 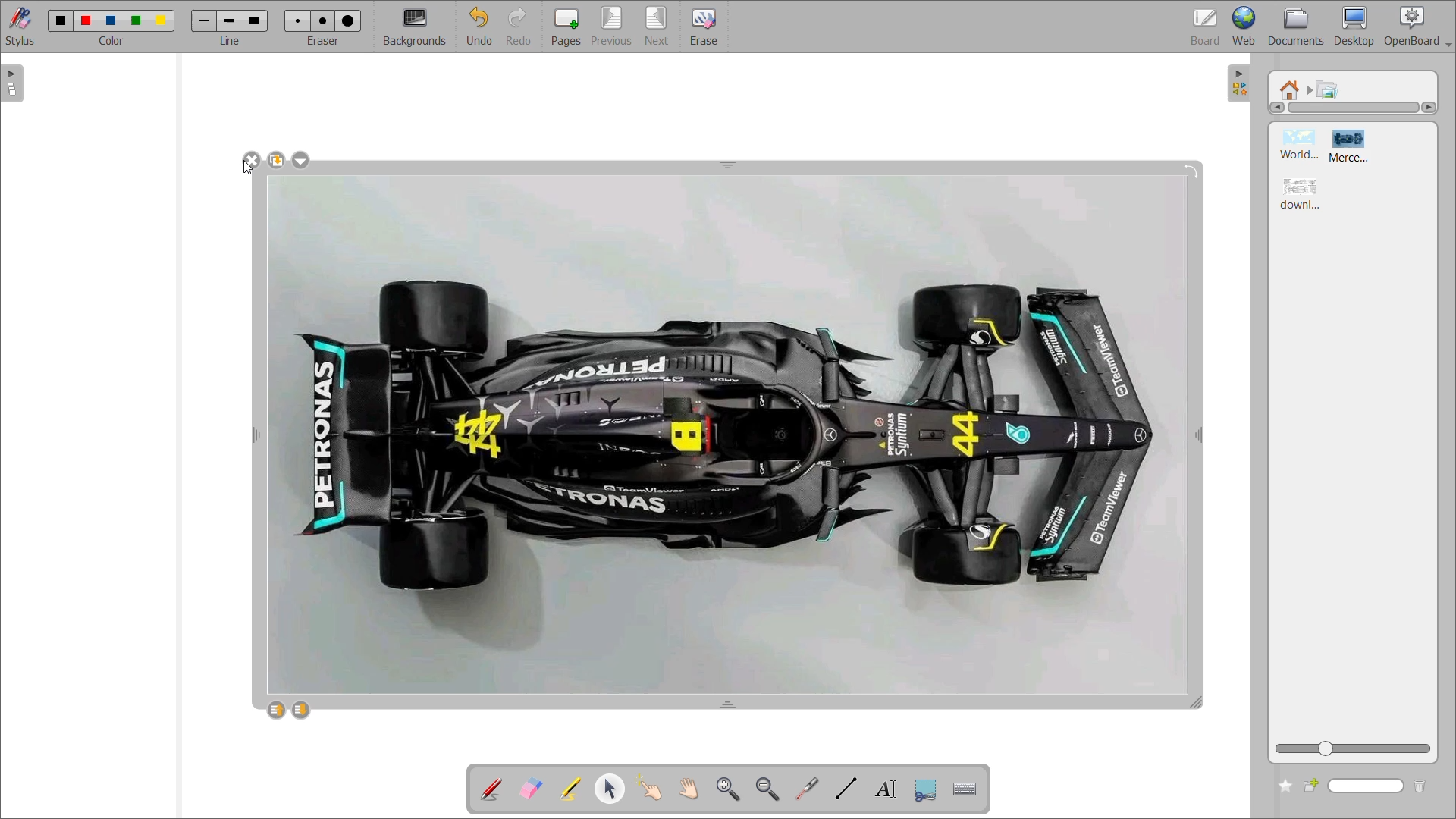 I want to click on image, so click(x=727, y=434).